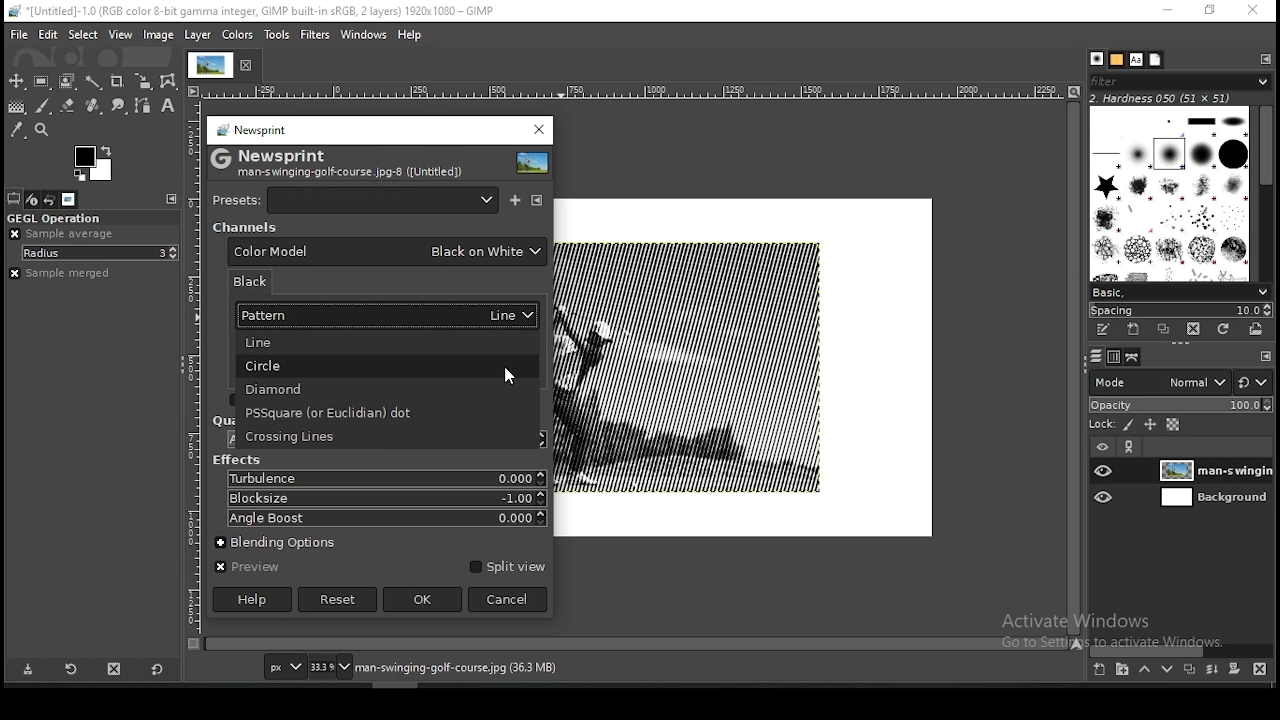 This screenshot has height=720, width=1280. Describe the element at coordinates (386, 479) in the screenshot. I see `turbulence` at that location.